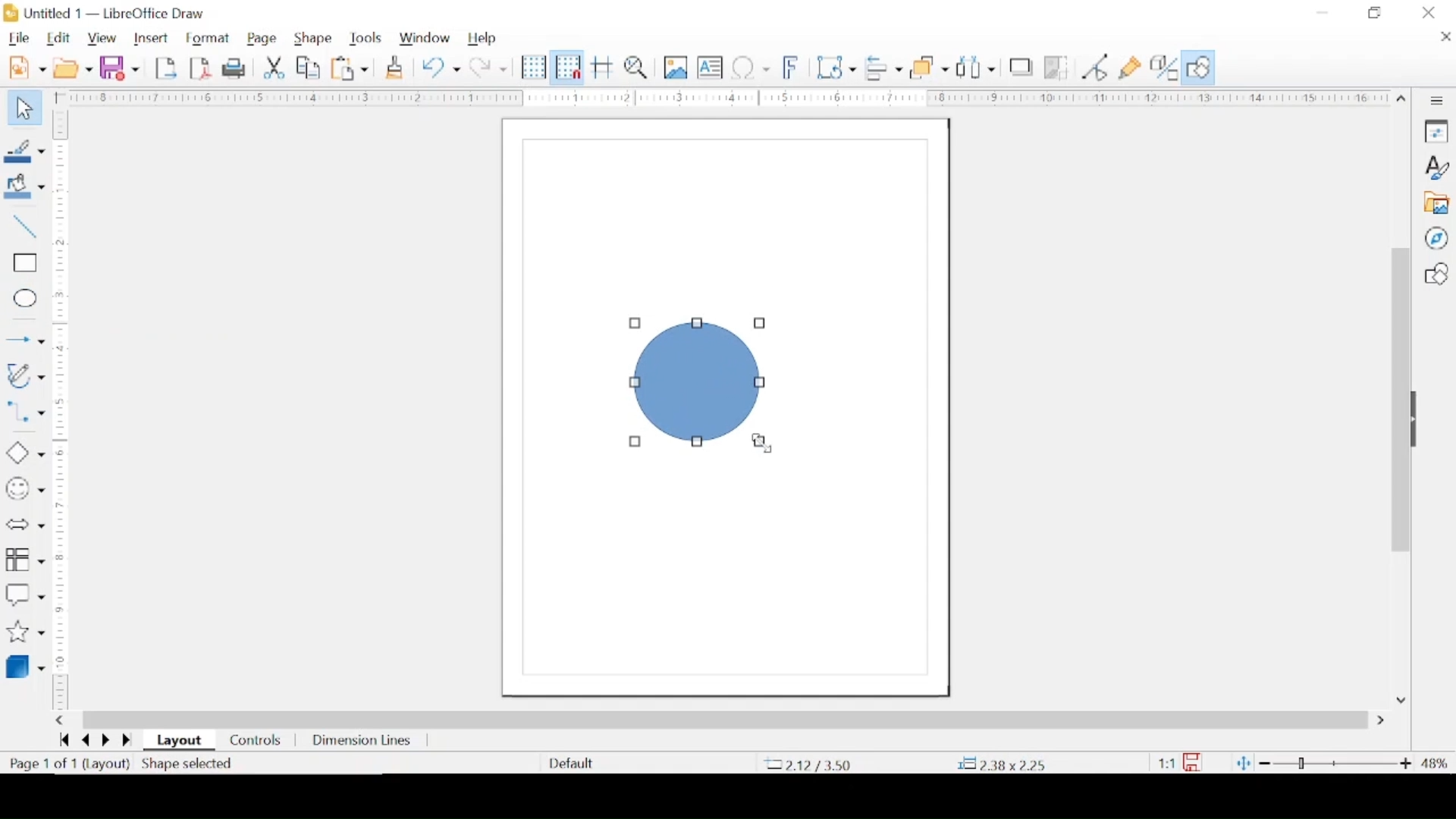  I want to click on resize handle, so click(635, 384).